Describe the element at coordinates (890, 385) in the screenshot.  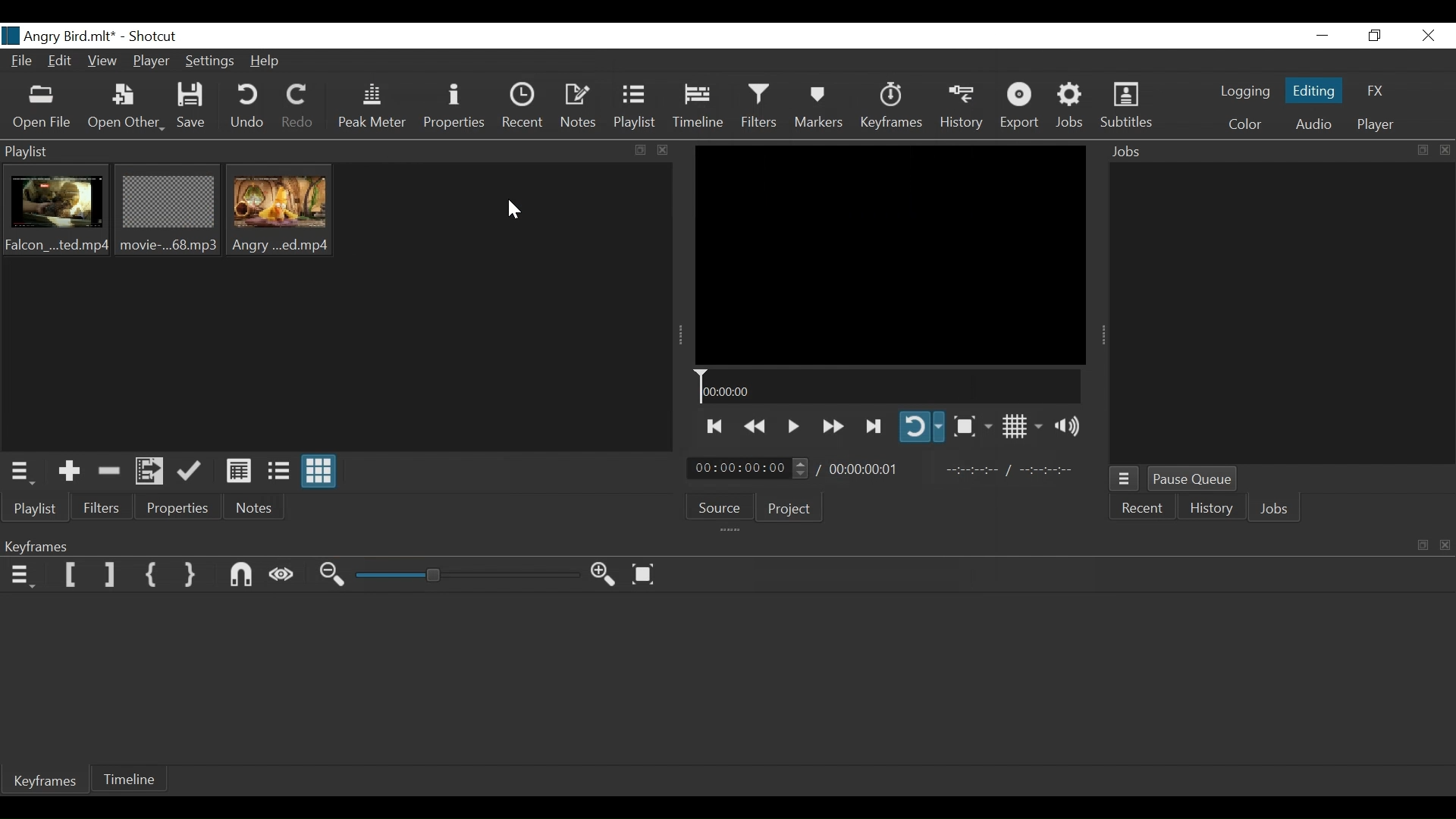
I see `Timeline` at that location.